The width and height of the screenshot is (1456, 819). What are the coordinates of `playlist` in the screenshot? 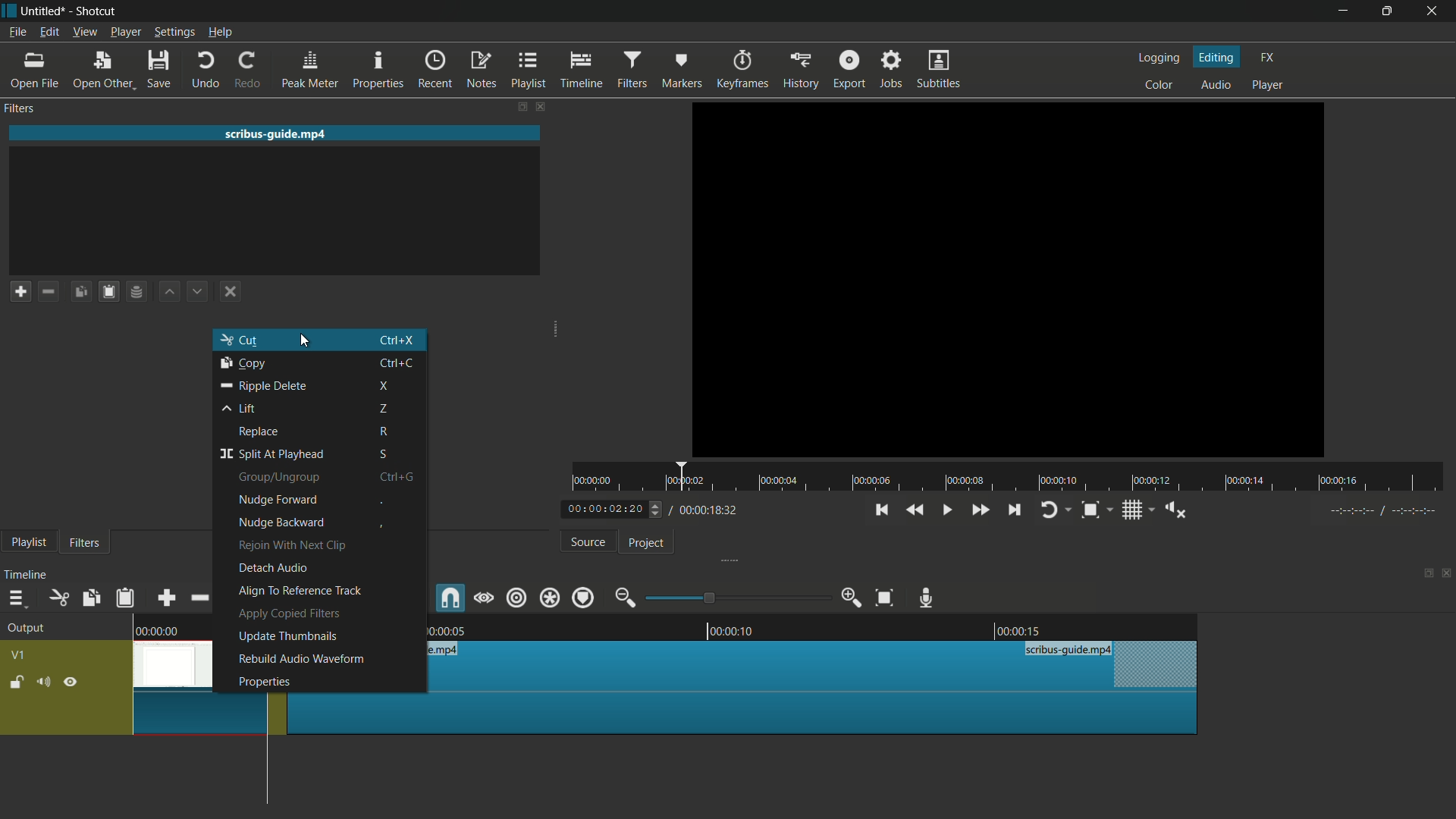 It's located at (531, 69).